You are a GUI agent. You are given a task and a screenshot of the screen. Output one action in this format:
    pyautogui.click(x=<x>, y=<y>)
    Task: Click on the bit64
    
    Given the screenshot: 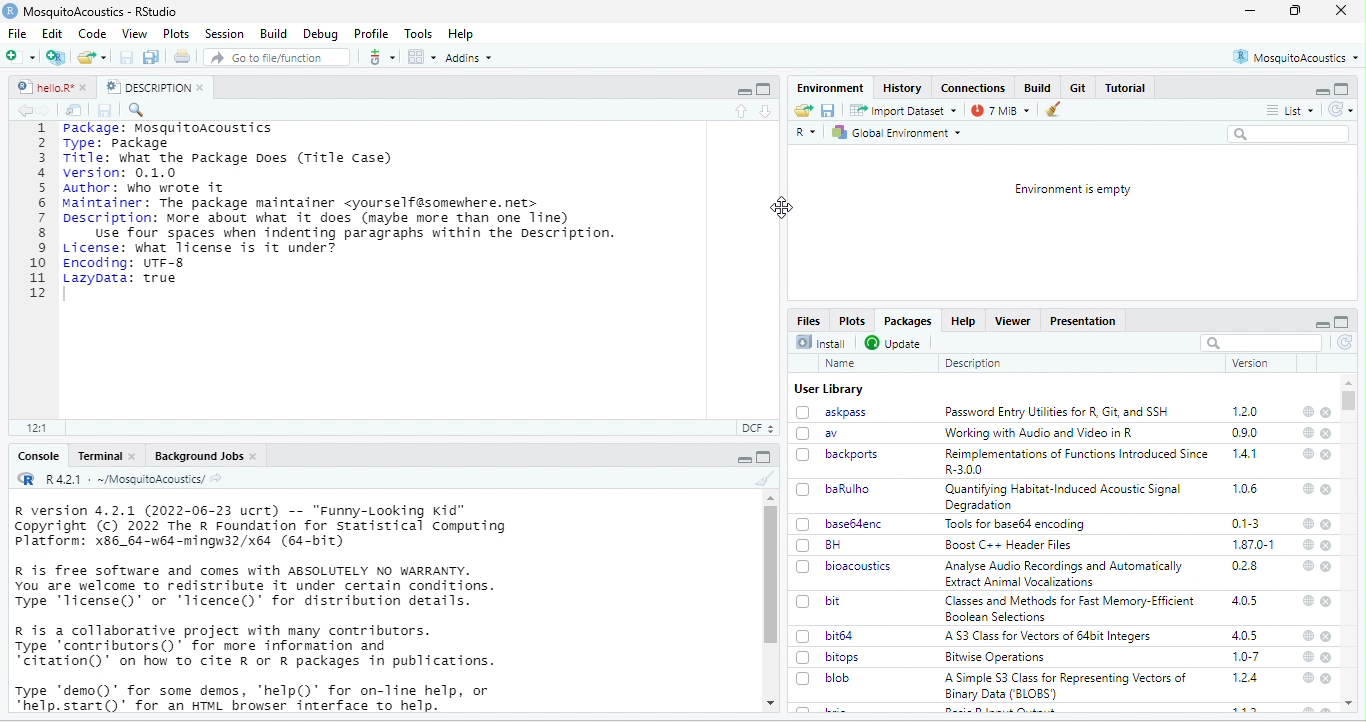 What is the action you would take?
    pyautogui.click(x=827, y=635)
    